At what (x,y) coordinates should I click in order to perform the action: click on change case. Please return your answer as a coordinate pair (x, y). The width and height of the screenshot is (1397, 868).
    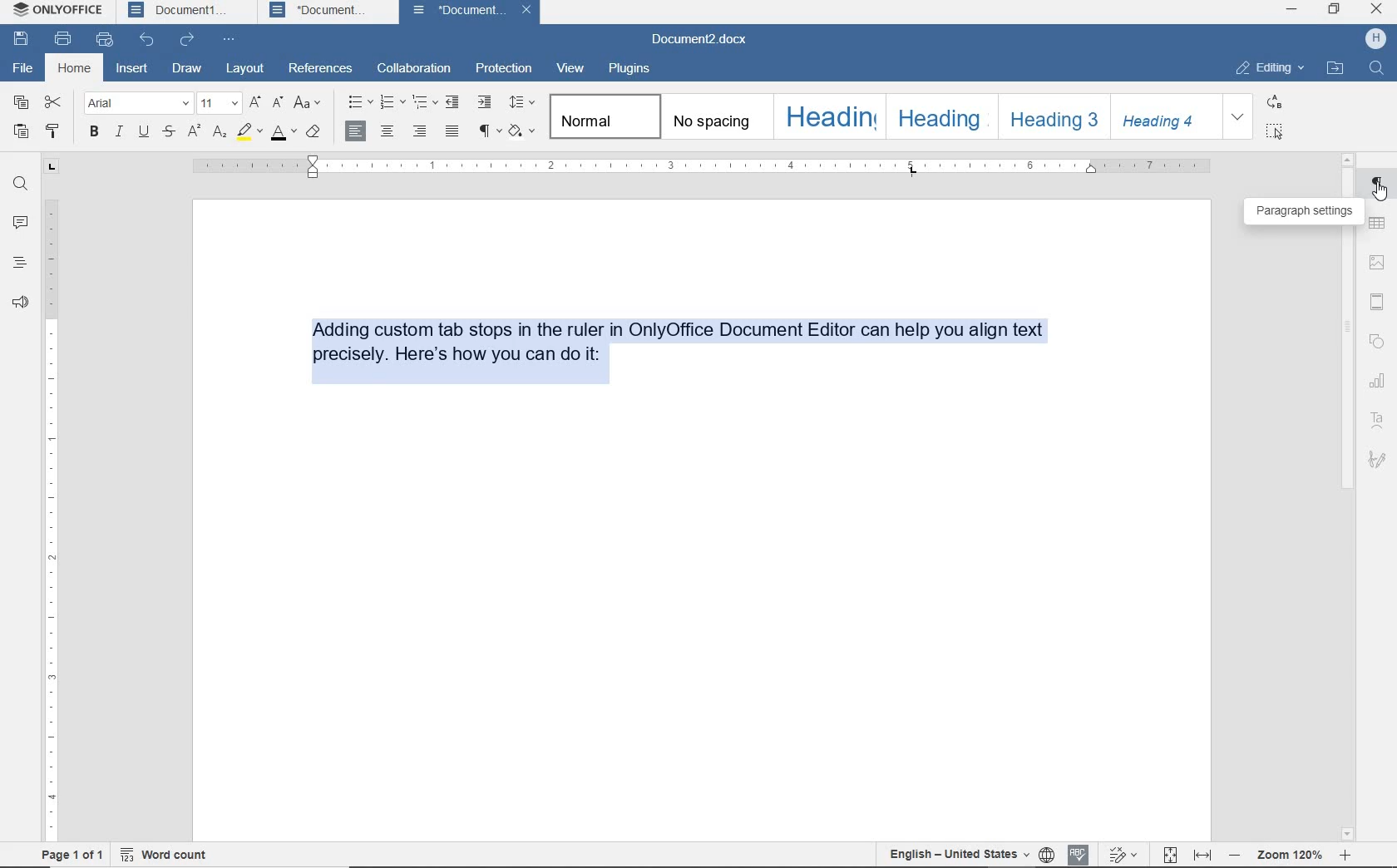
    Looking at the image, I should click on (311, 104).